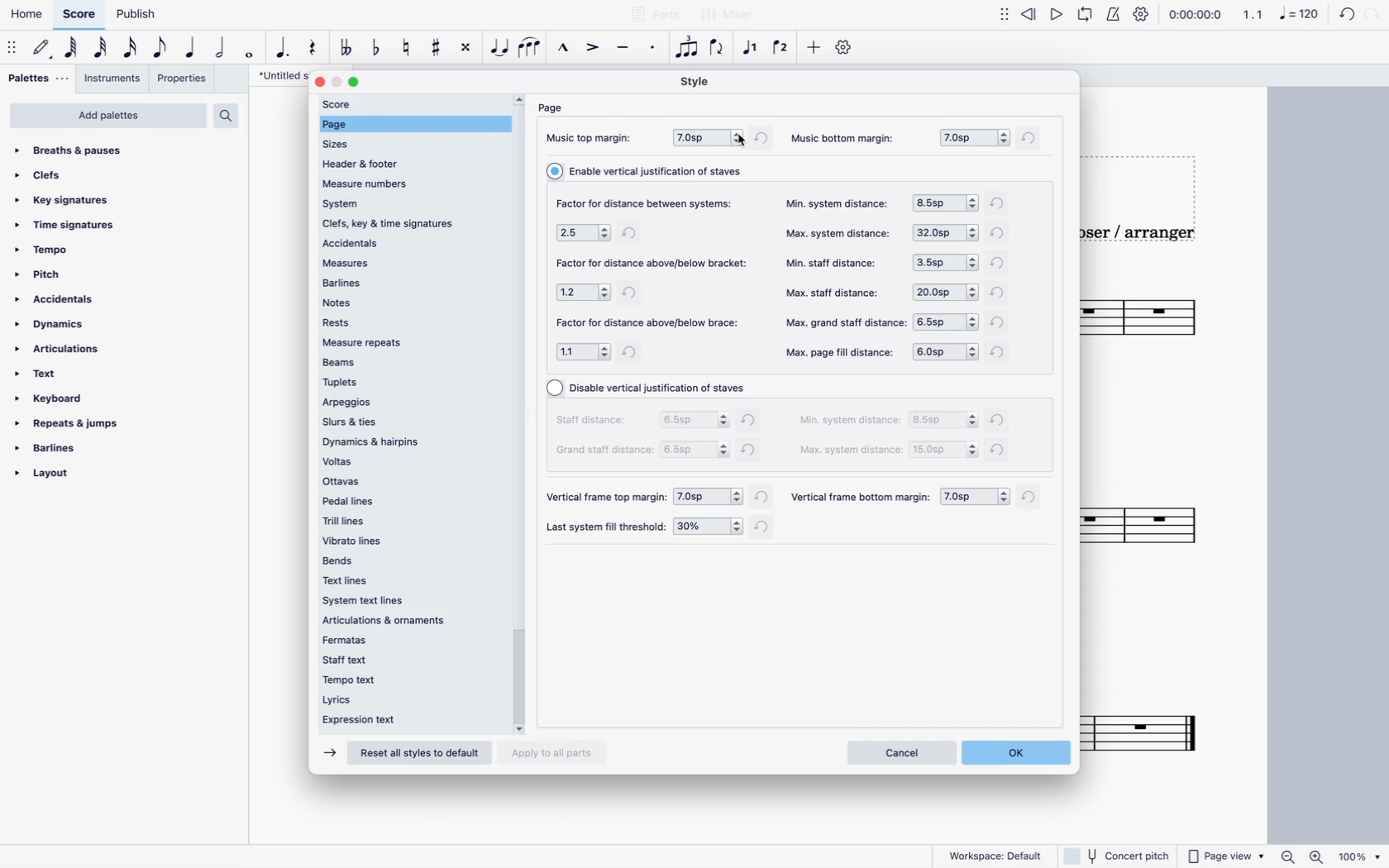 The image size is (1389, 868). I want to click on refresh, so click(1000, 453).